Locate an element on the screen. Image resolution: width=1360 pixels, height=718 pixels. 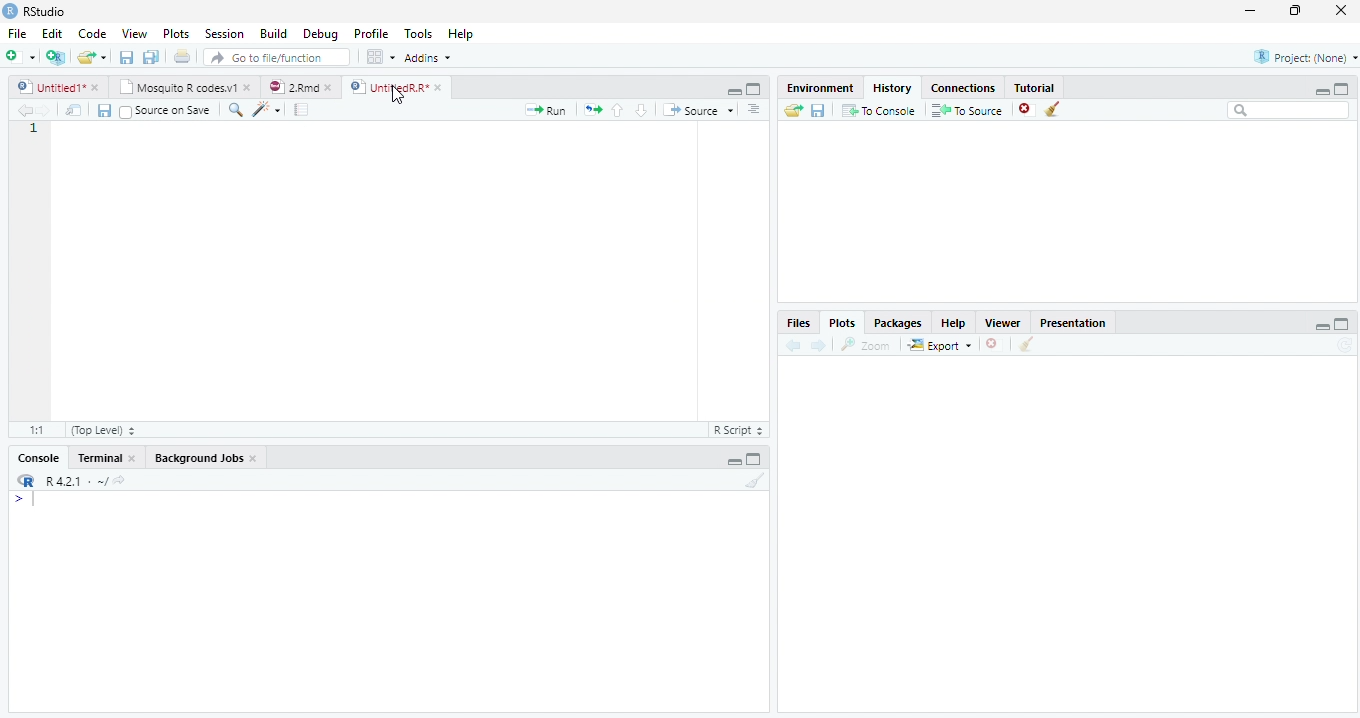
Rstudio is located at coordinates (34, 10).